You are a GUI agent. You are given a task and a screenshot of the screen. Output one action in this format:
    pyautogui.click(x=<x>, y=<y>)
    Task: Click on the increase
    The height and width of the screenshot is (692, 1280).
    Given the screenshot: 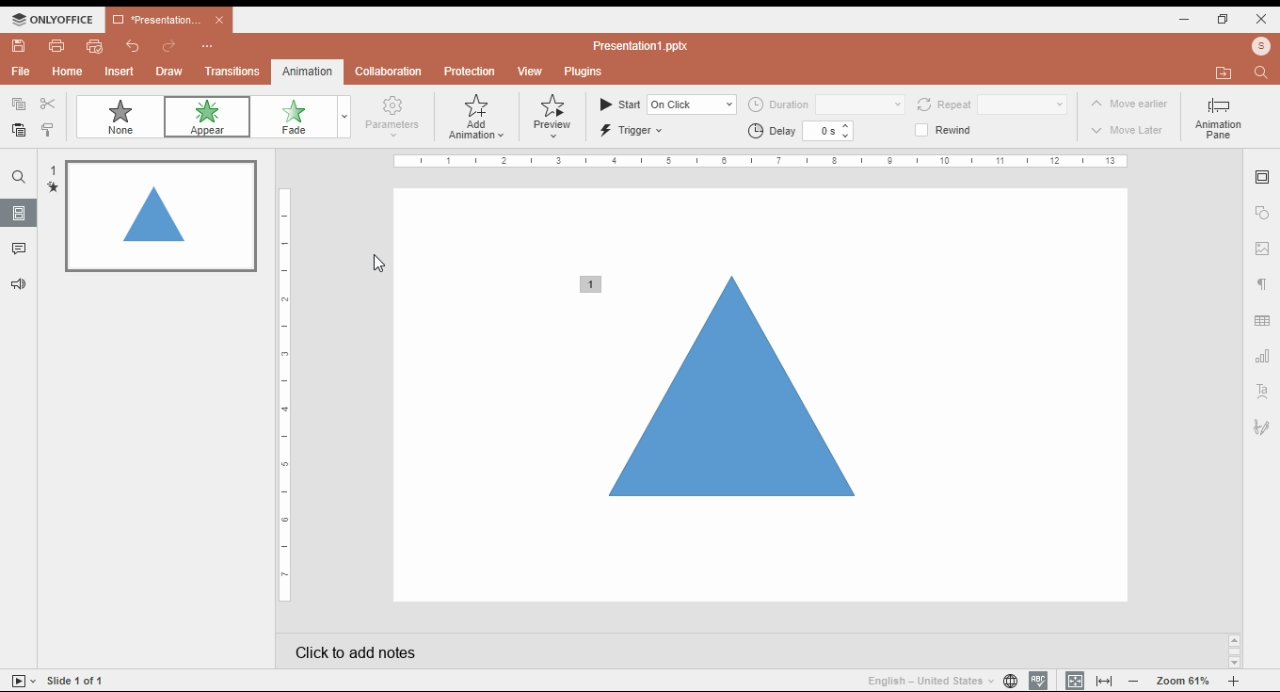 What is the action you would take?
    pyautogui.click(x=847, y=125)
    